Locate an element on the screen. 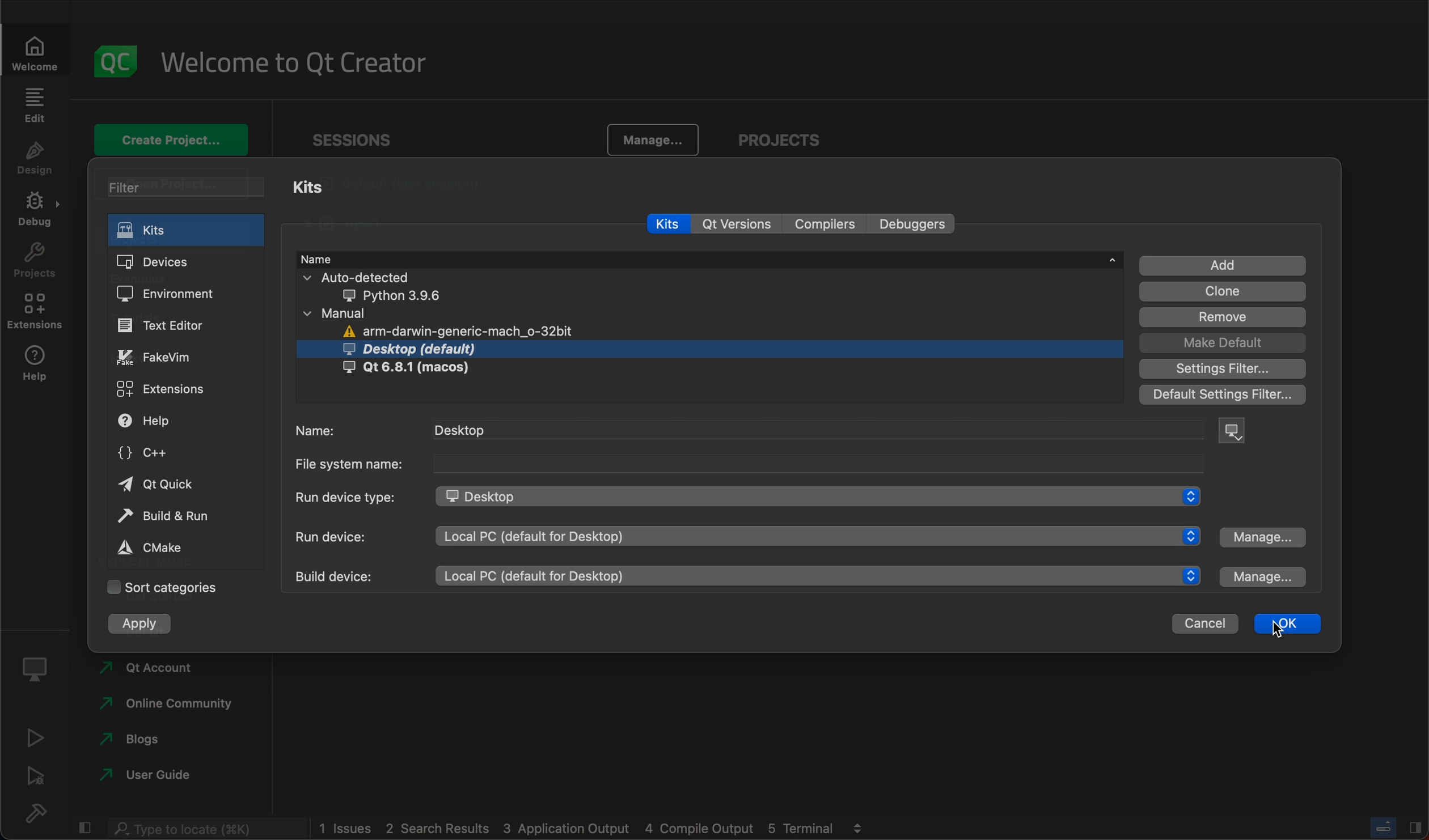 The height and width of the screenshot is (840, 1429). Qt 6.8.1 (macos) is located at coordinates (433, 370).